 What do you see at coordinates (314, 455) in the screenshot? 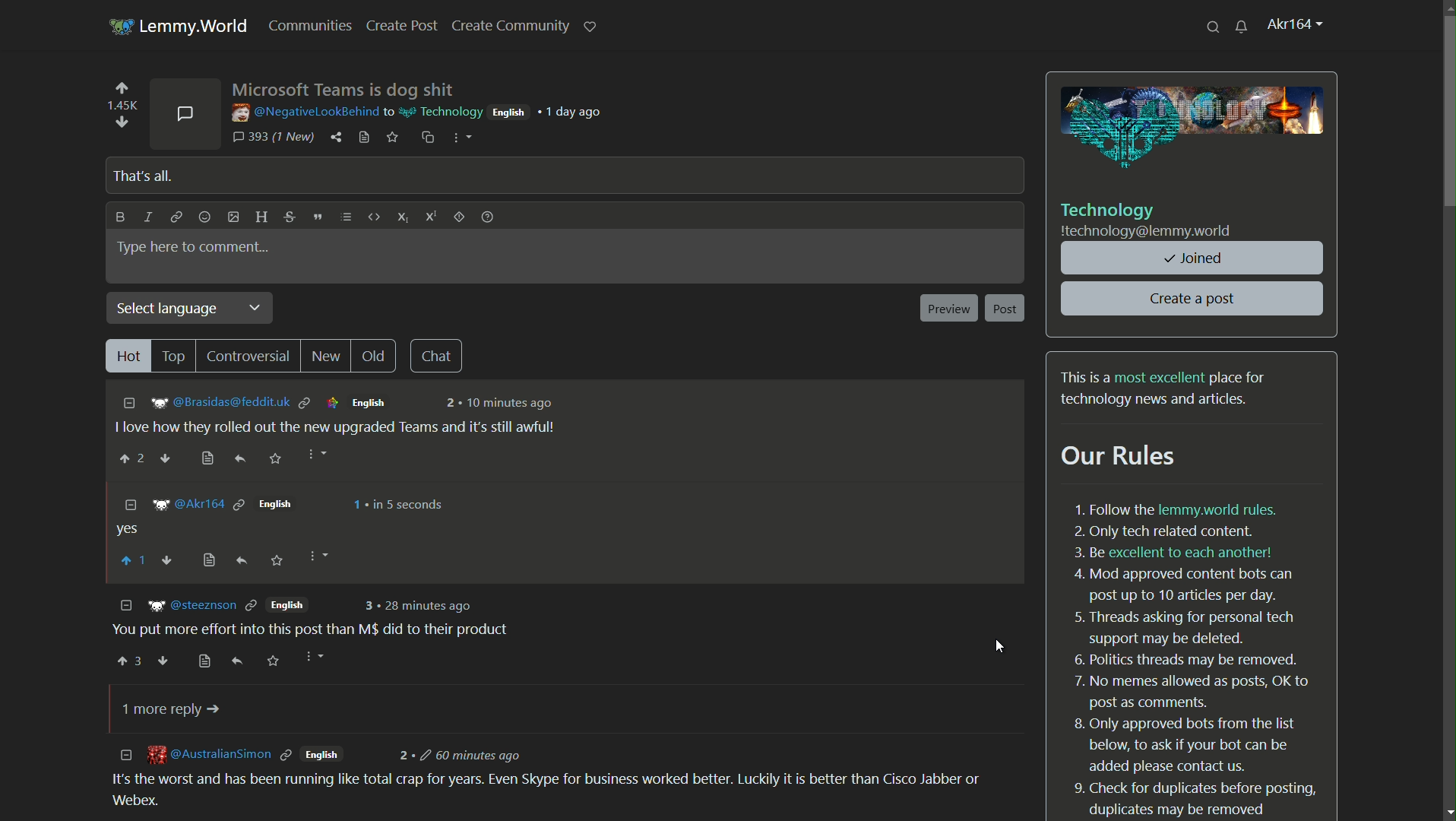
I see `more options` at bounding box center [314, 455].